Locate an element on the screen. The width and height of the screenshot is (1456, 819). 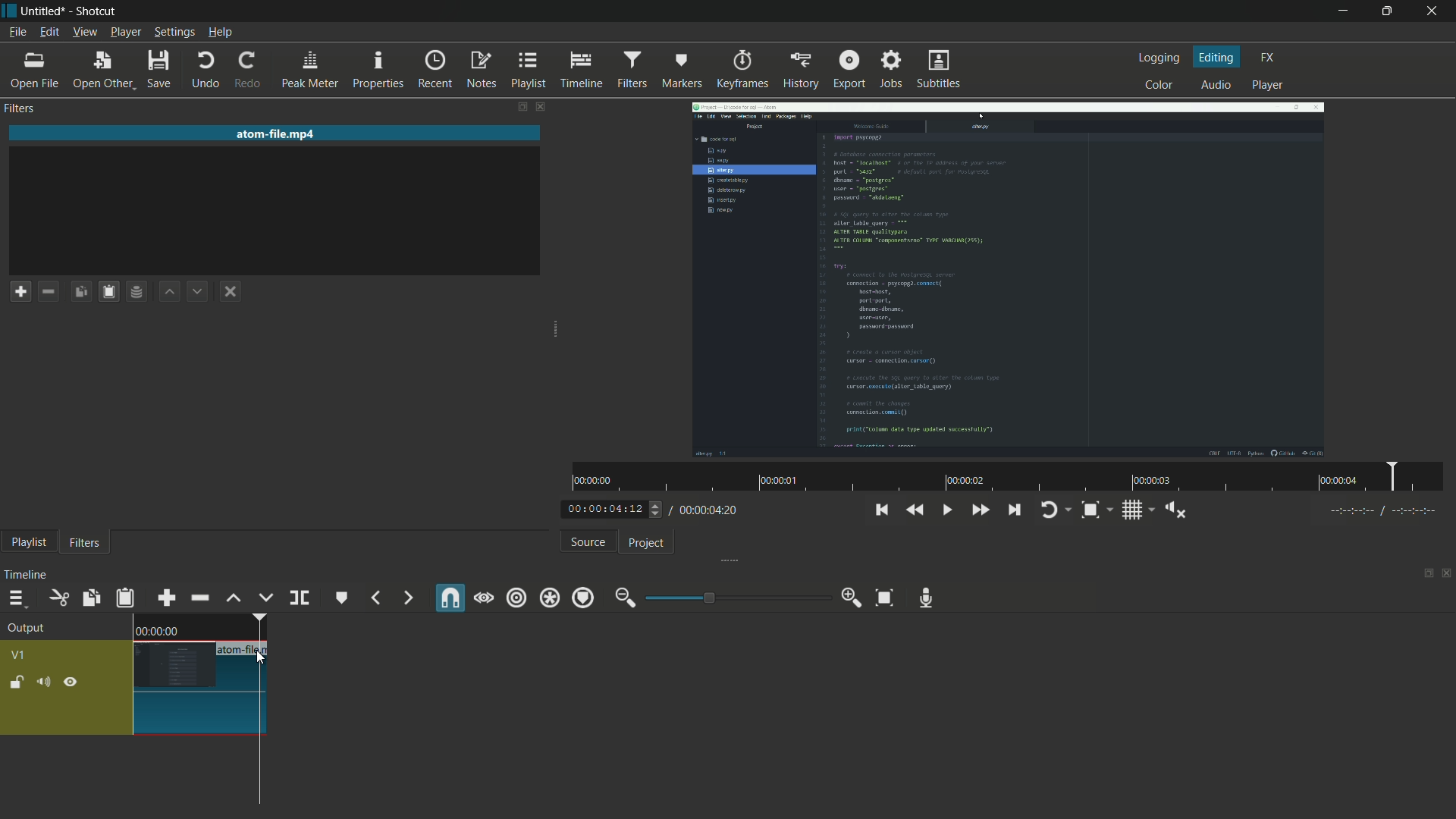
cursor is located at coordinates (258, 660).